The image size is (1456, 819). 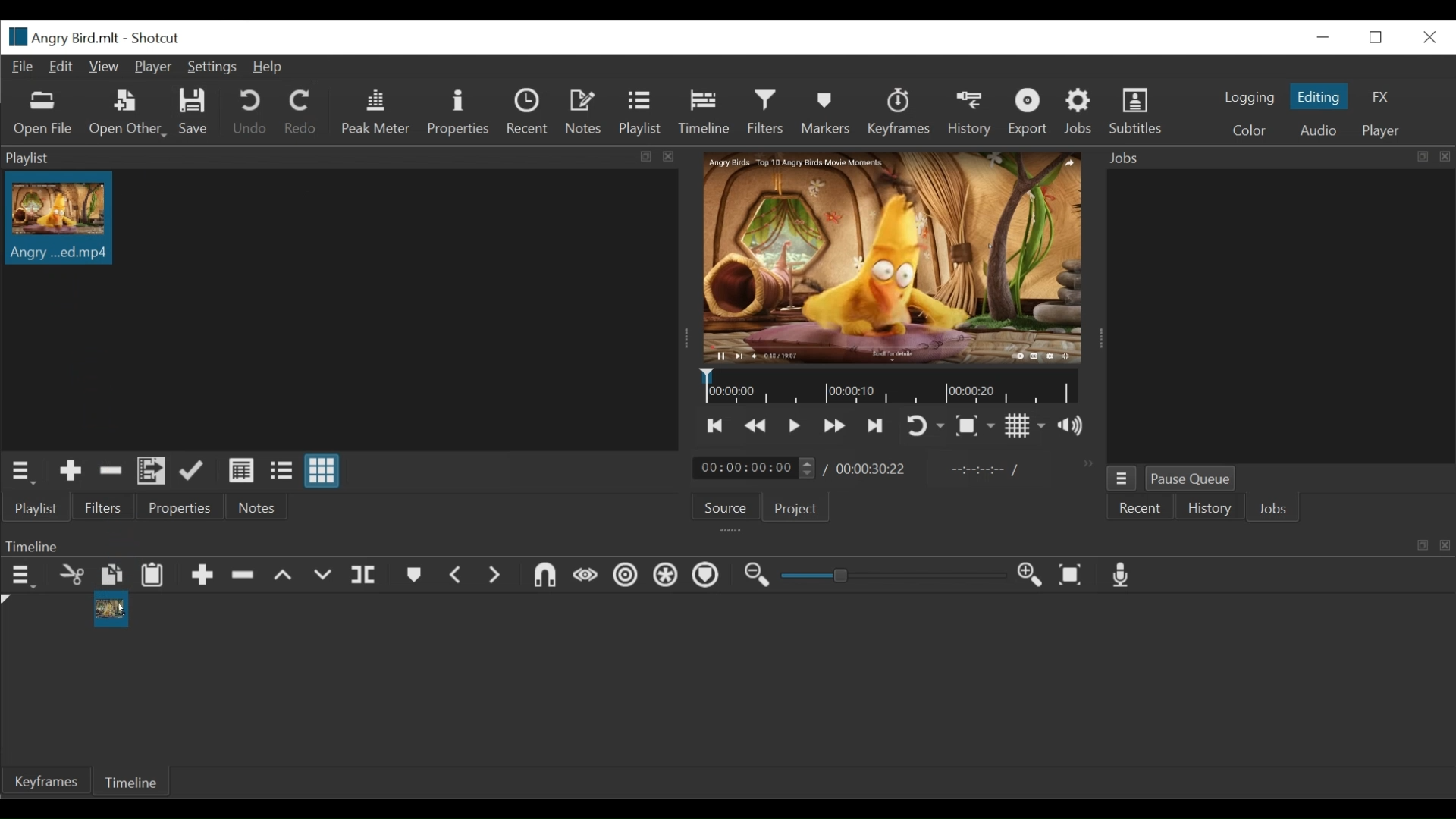 What do you see at coordinates (766, 111) in the screenshot?
I see `Filters` at bounding box center [766, 111].